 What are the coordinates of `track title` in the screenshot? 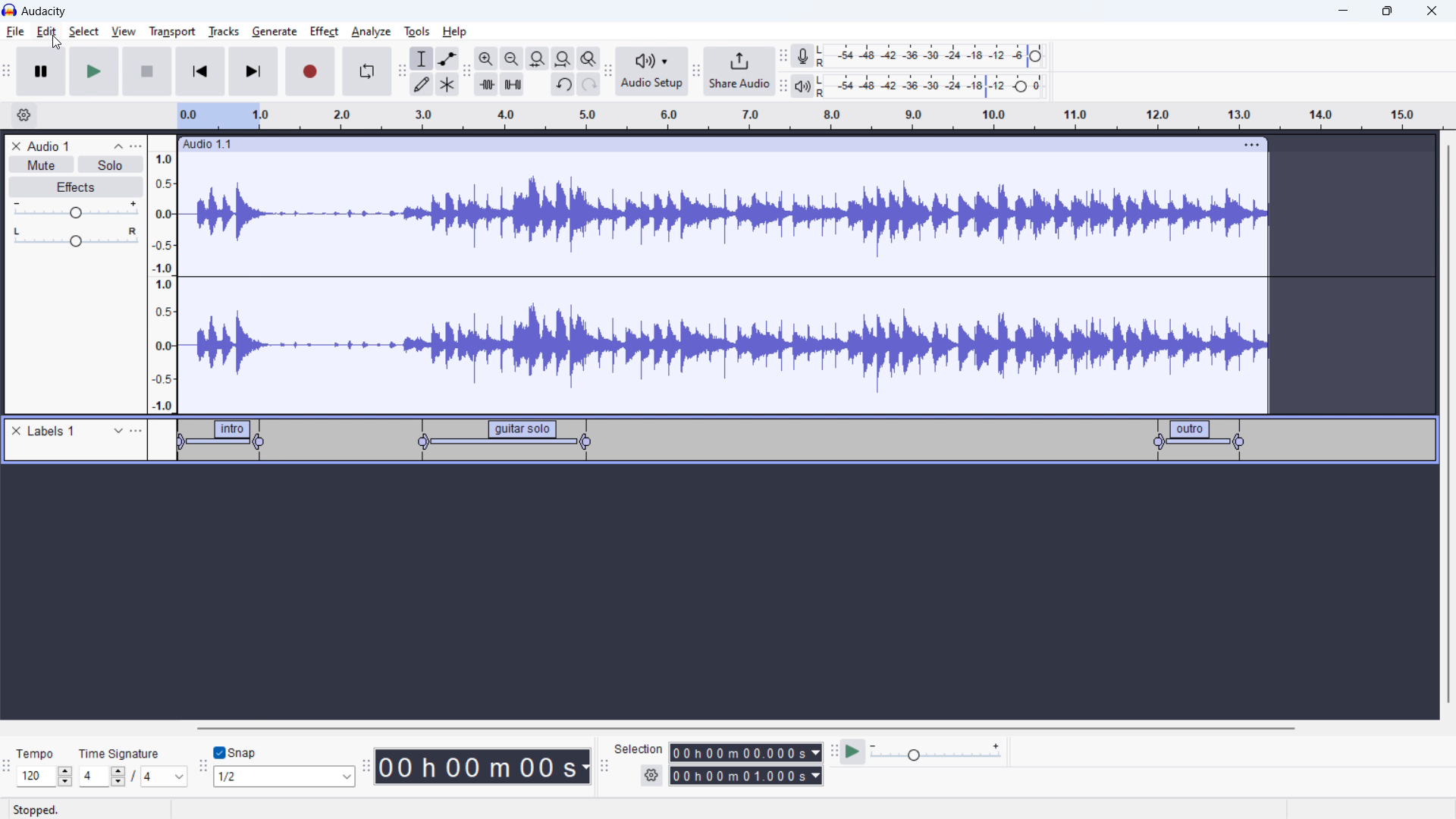 It's located at (50, 146).